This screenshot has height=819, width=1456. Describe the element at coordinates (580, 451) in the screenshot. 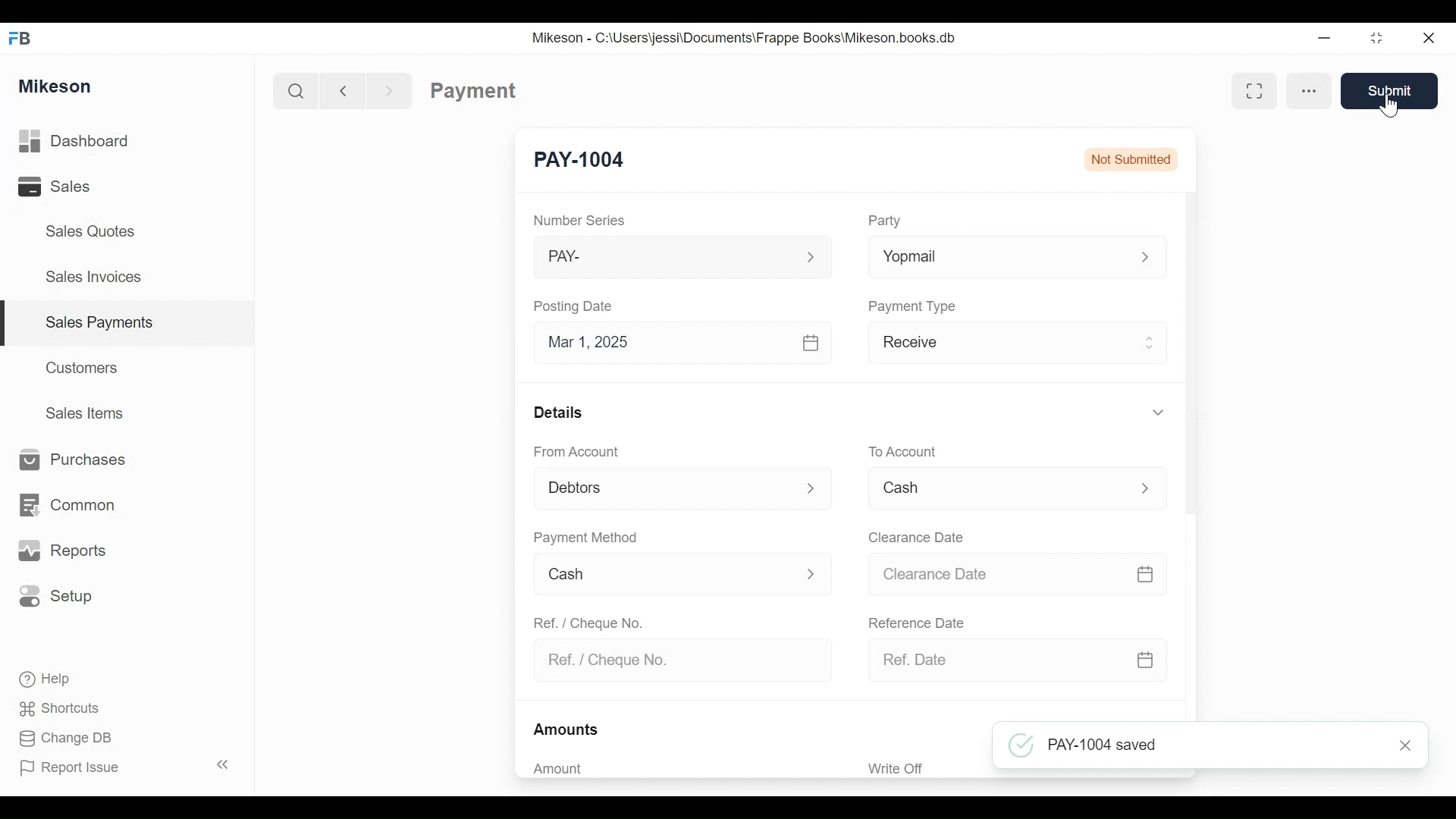

I see `From Account` at that location.